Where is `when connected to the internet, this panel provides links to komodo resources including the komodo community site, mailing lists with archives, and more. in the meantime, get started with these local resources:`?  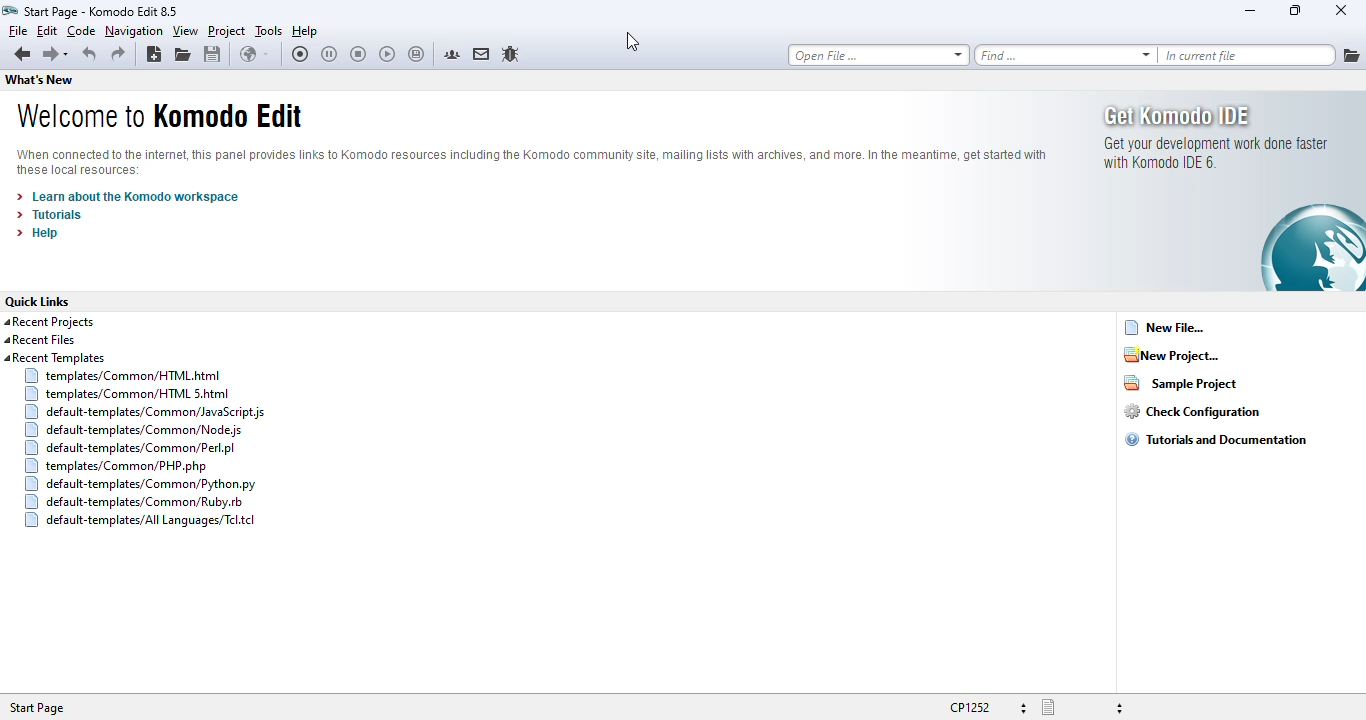 when connected to the internet, this panel provides links to komodo resources including the komodo community site, mailing lists with archives, and more. in the meantime, get started with these local resources: is located at coordinates (530, 163).